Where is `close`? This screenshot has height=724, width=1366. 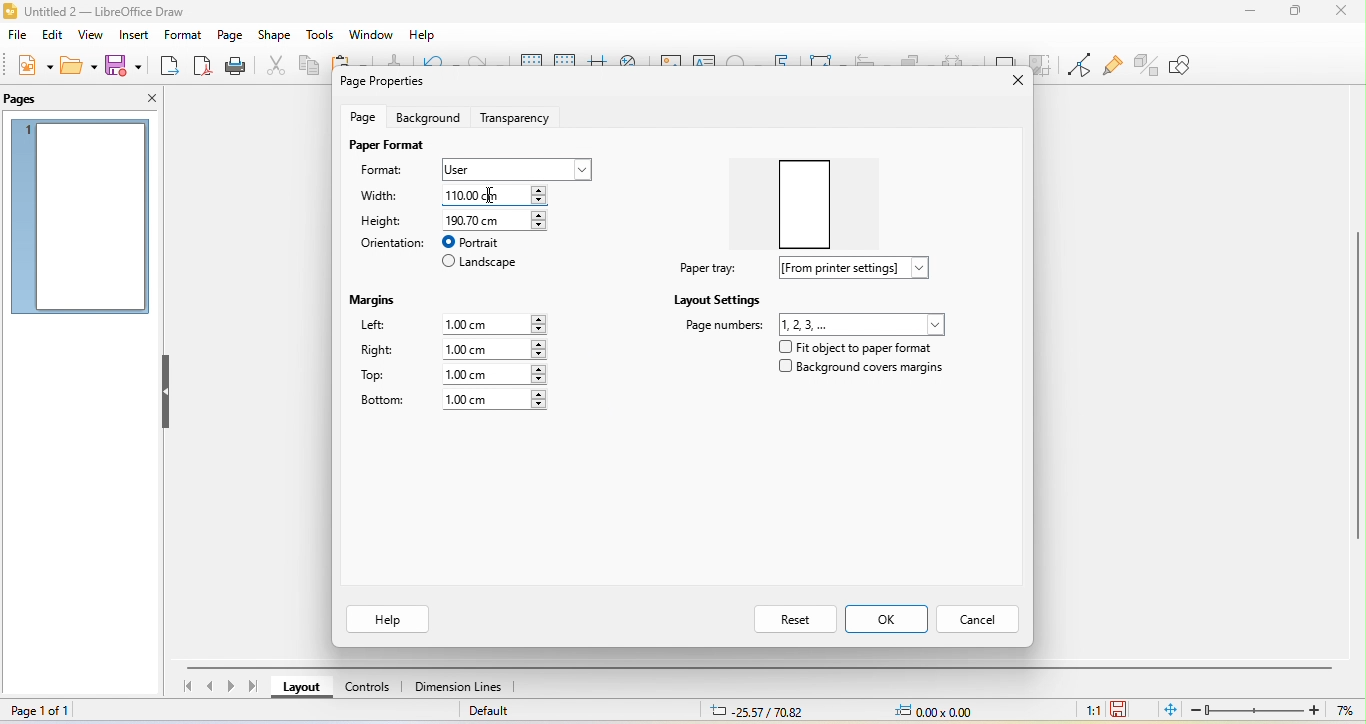 close is located at coordinates (1340, 11).